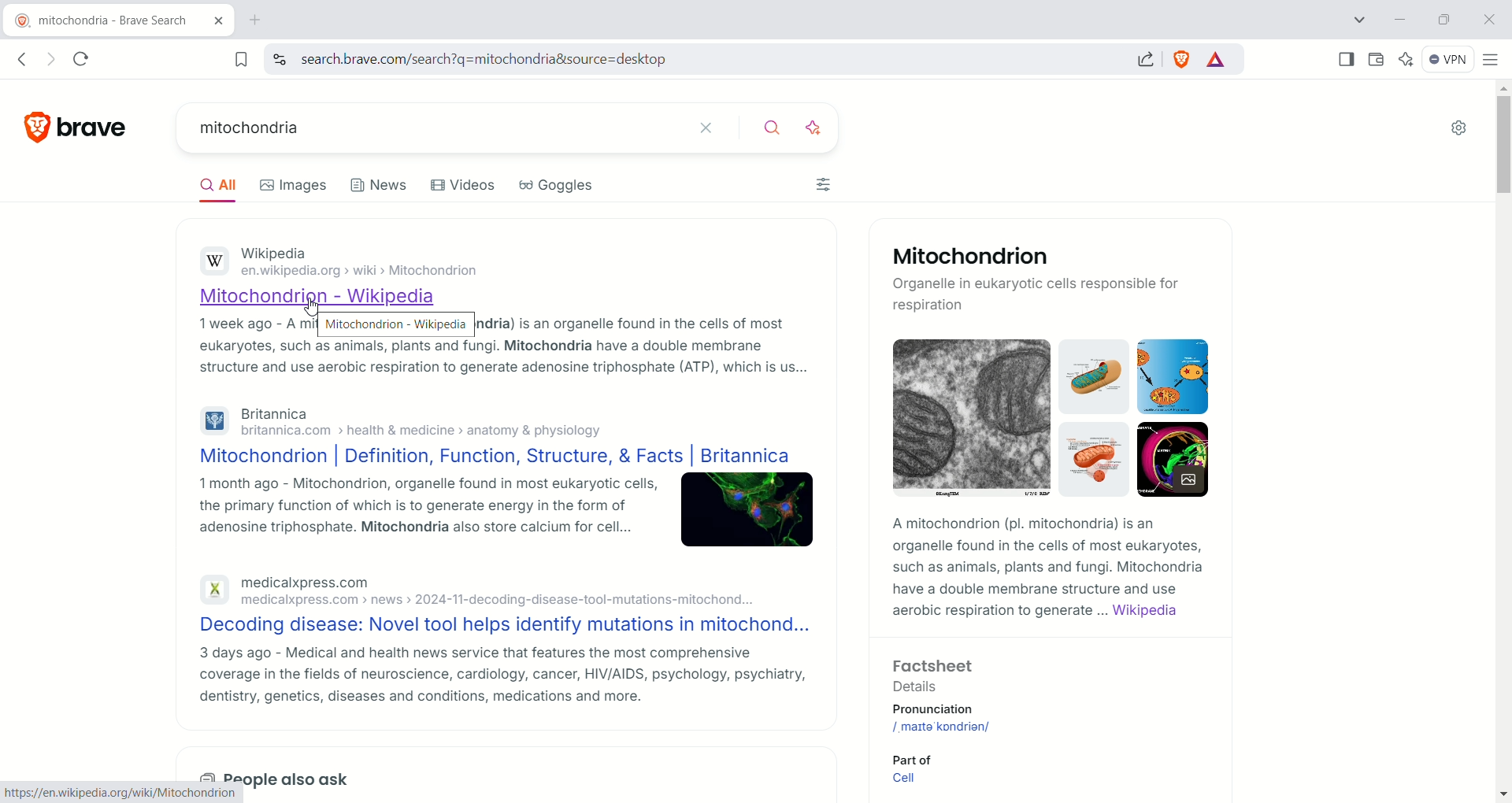  I want to click on cursor, so click(313, 307).